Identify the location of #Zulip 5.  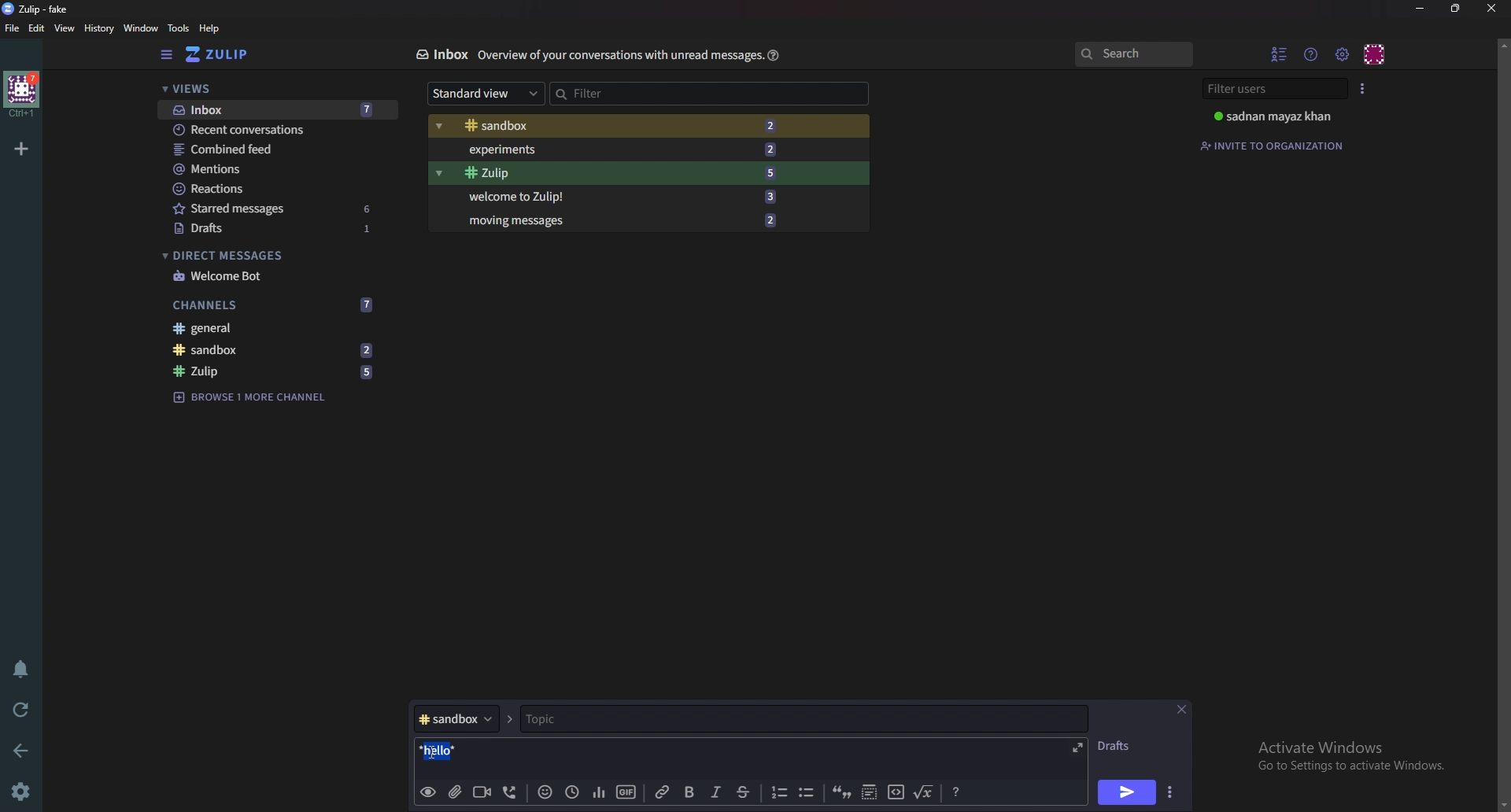
(620, 173).